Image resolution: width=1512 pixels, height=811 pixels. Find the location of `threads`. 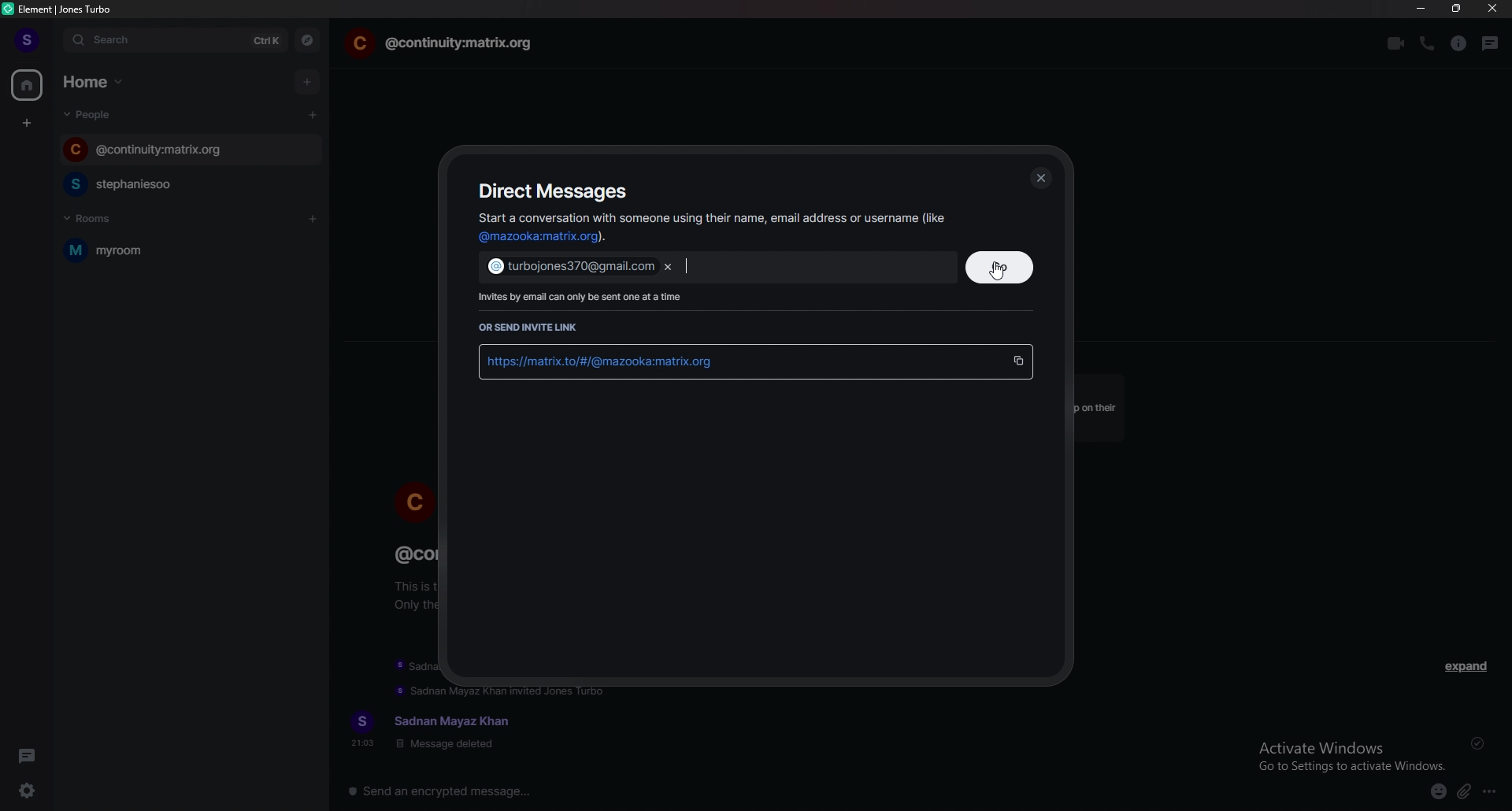

threads is located at coordinates (28, 756).